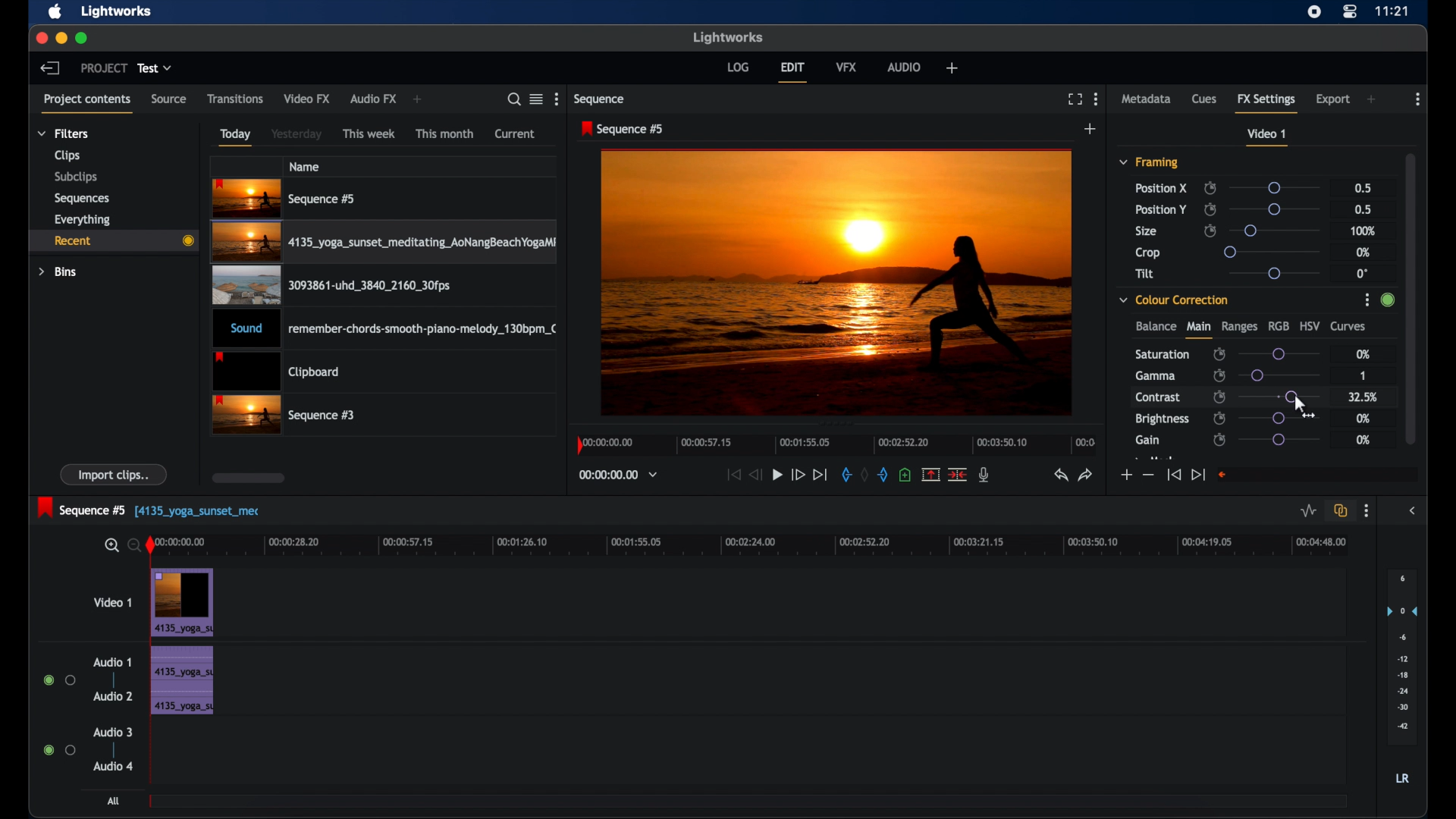 The width and height of the screenshot is (1456, 819). Describe the element at coordinates (1363, 440) in the screenshot. I see `0%` at that location.